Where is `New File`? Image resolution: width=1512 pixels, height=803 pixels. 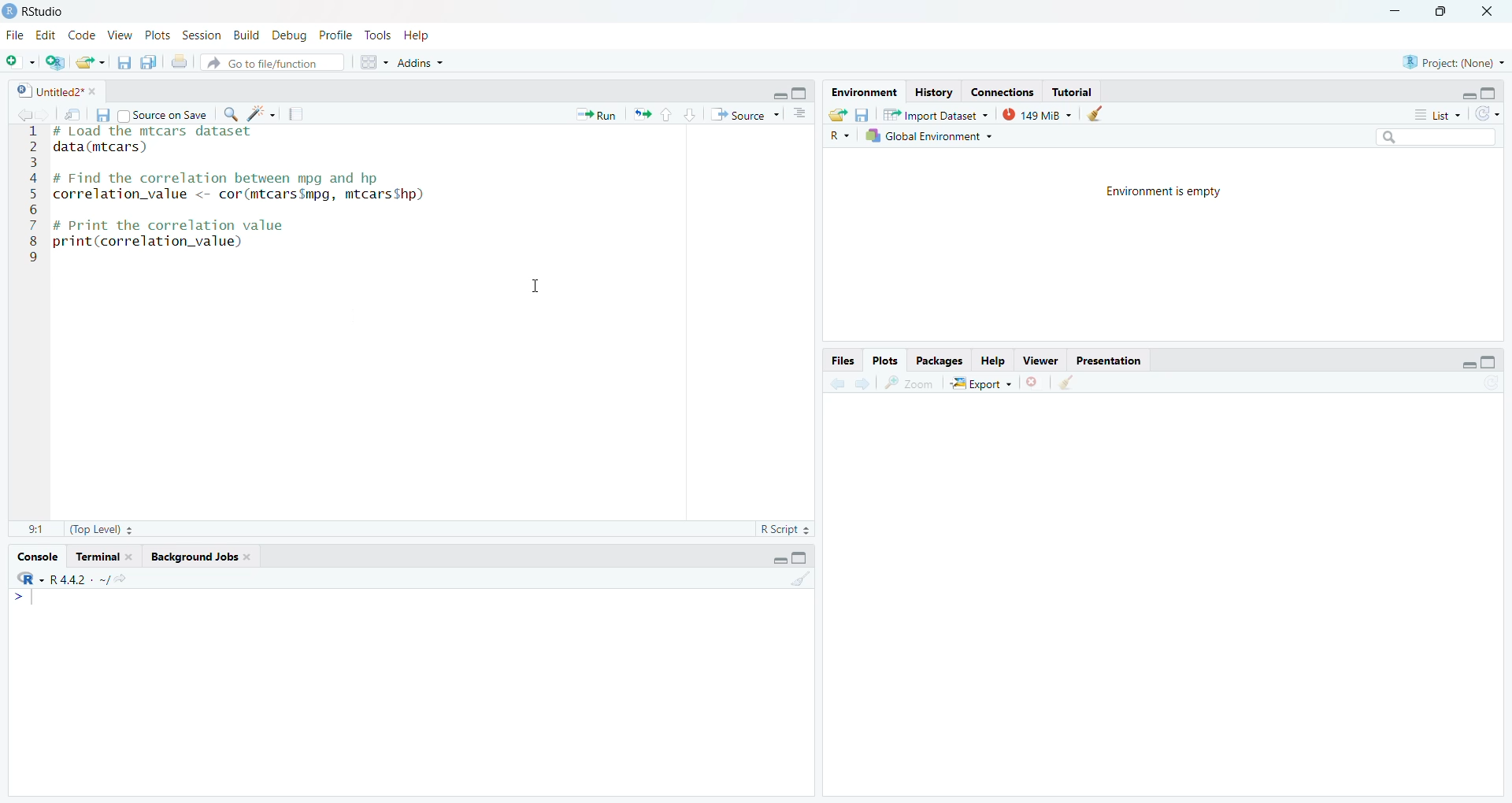 New File is located at coordinates (19, 65).